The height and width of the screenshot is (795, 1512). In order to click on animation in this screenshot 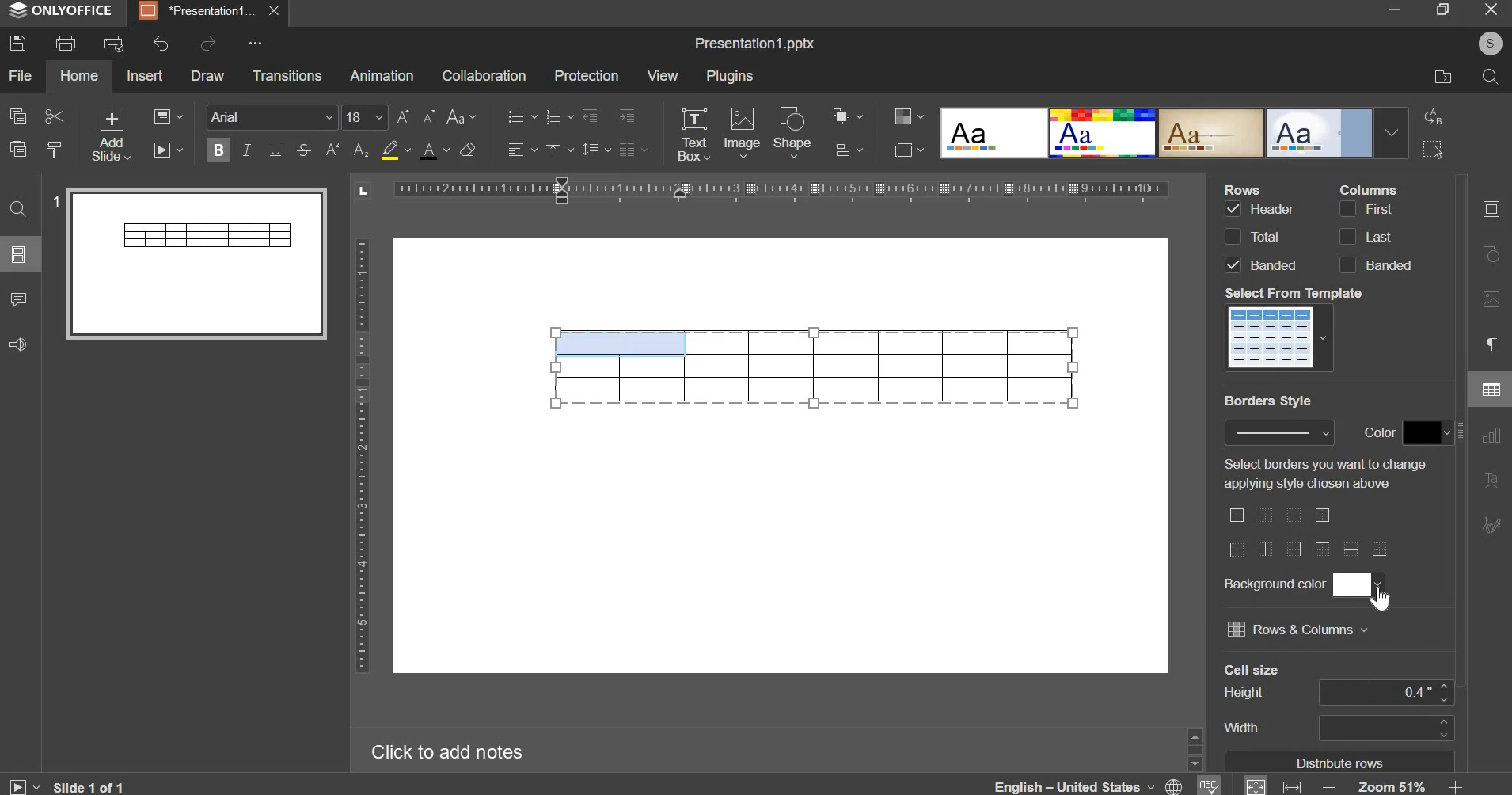, I will do `click(381, 75)`.